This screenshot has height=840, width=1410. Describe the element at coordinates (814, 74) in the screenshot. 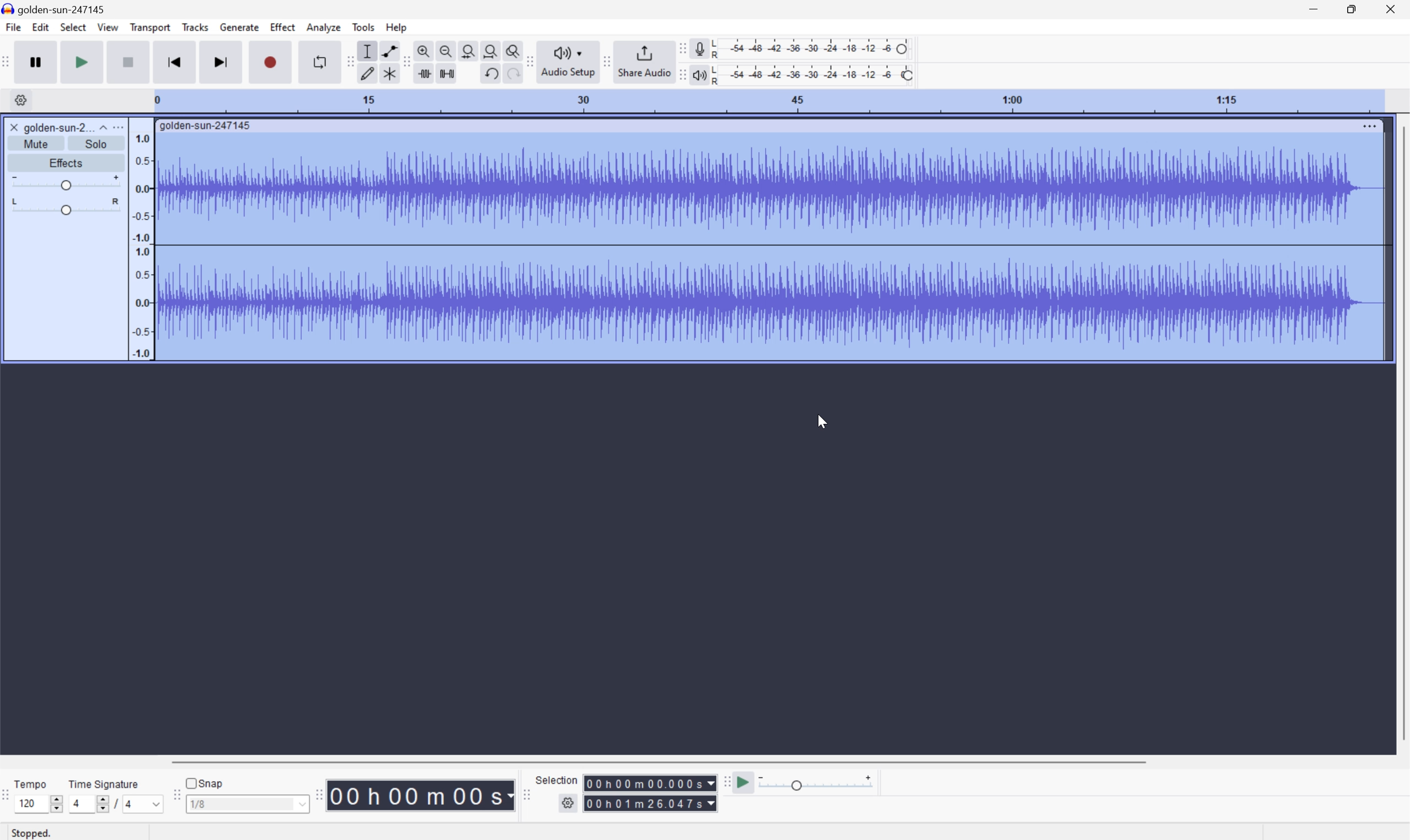

I see `Playback level: 100%` at that location.